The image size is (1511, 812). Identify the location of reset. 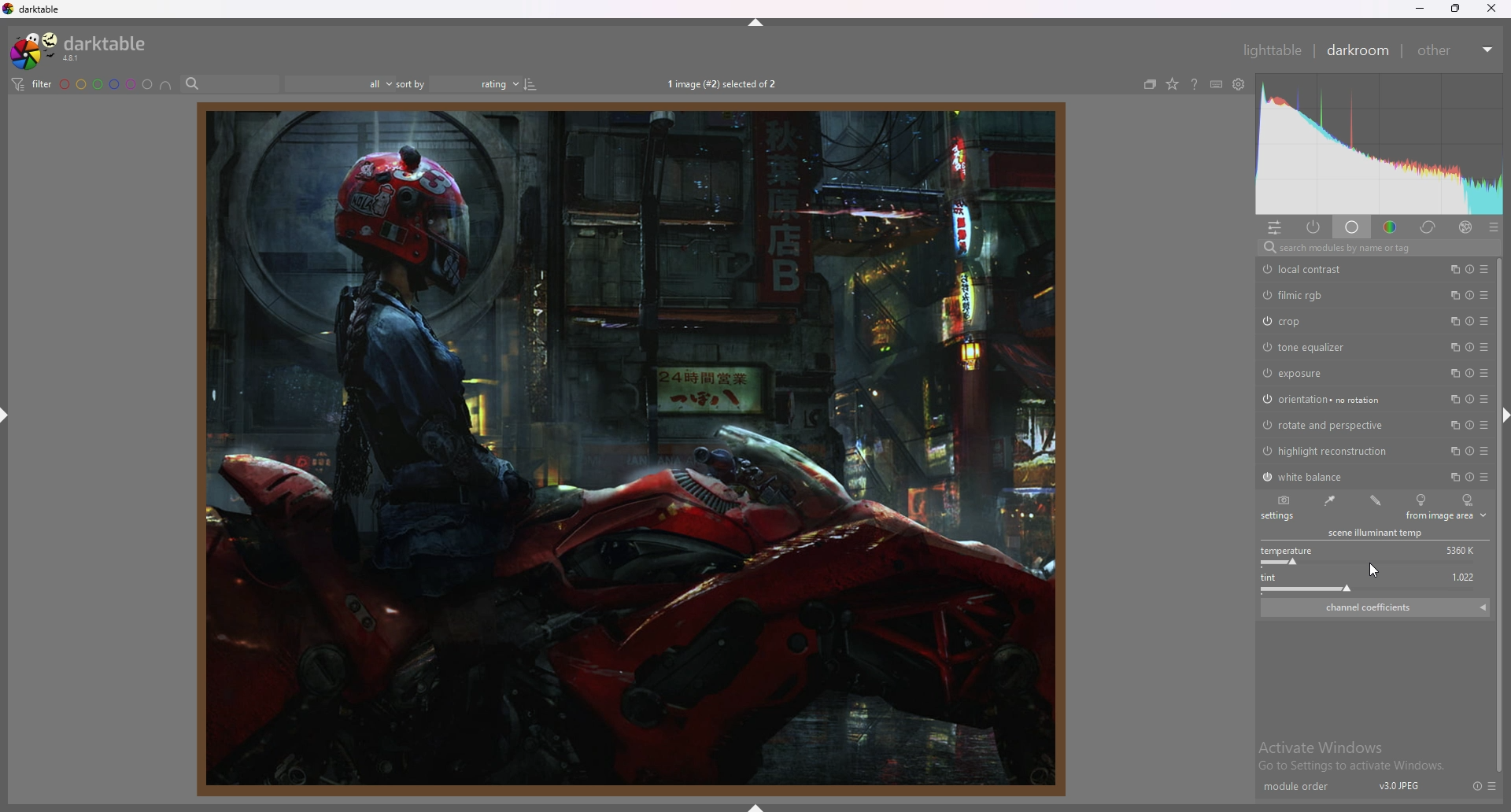
(1470, 347).